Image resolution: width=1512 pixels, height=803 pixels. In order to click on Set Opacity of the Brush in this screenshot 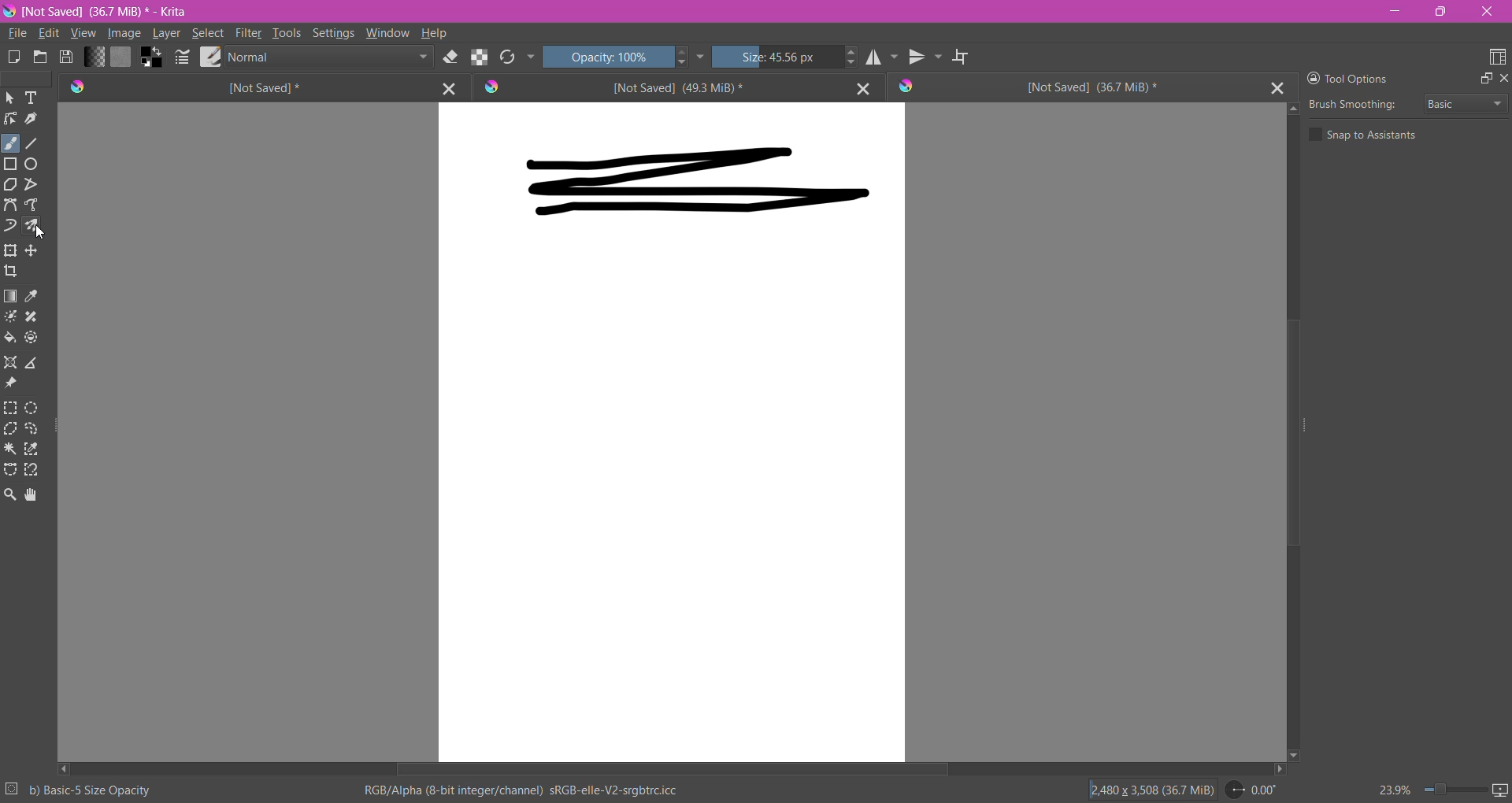, I will do `click(606, 58)`.